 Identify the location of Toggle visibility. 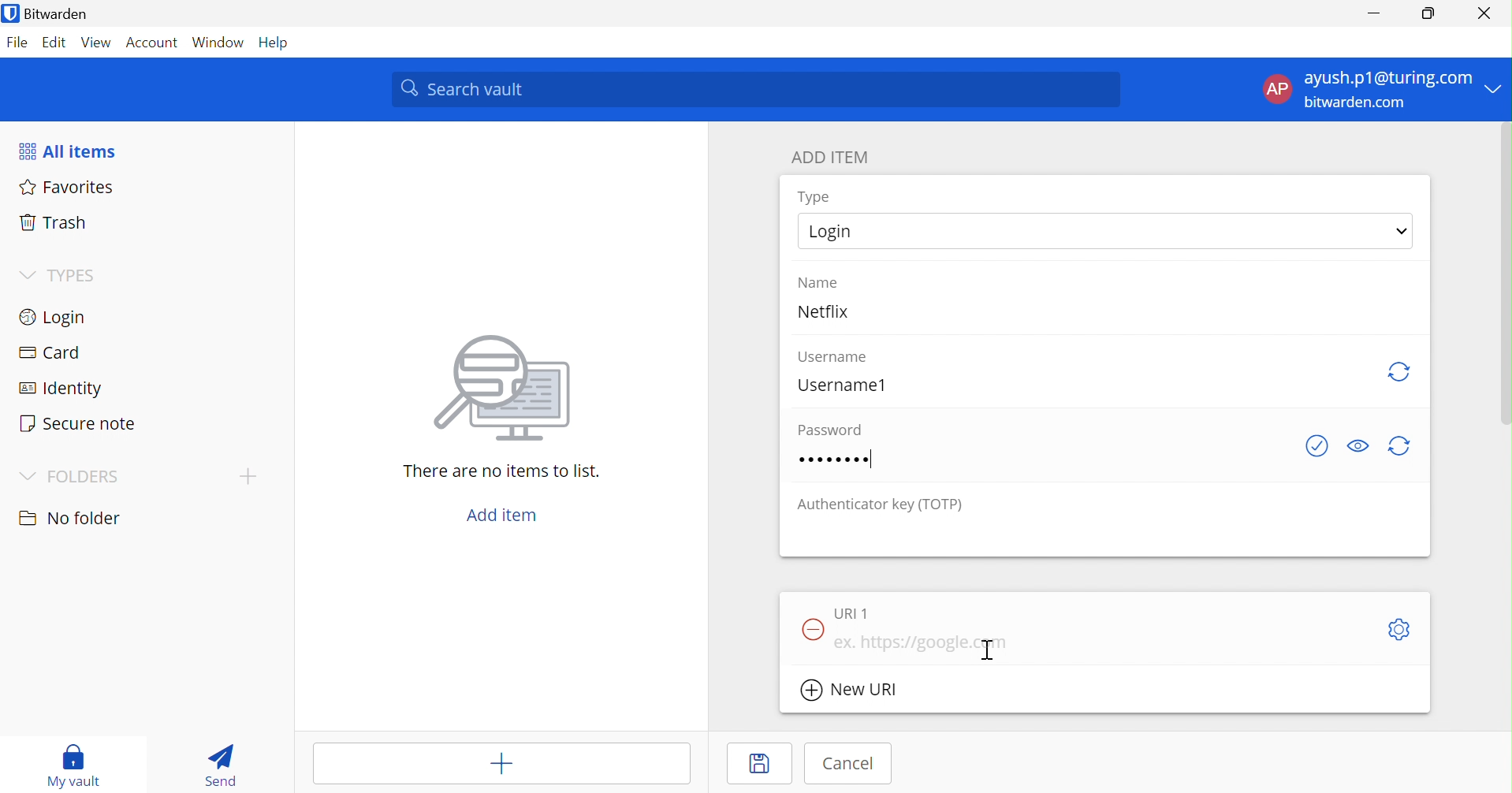
(1358, 445).